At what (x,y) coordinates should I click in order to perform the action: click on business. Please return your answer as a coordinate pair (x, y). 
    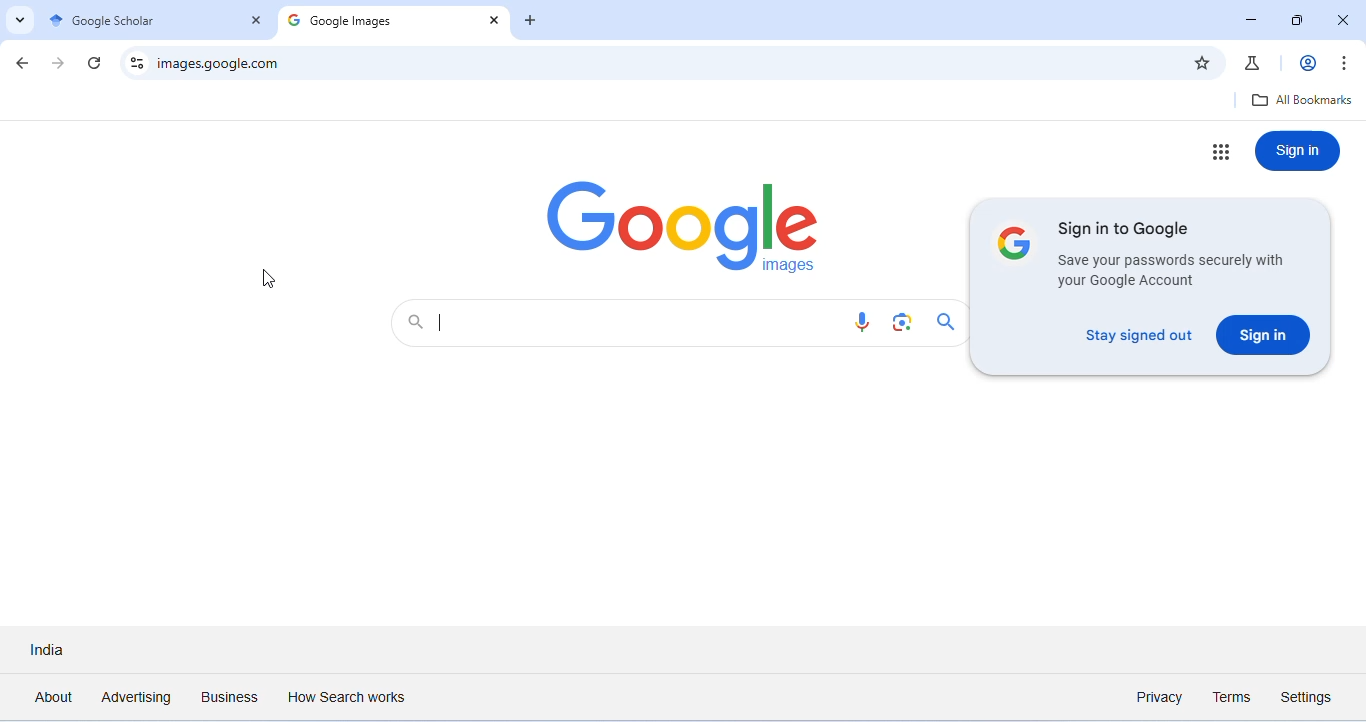
    Looking at the image, I should click on (231, 696).